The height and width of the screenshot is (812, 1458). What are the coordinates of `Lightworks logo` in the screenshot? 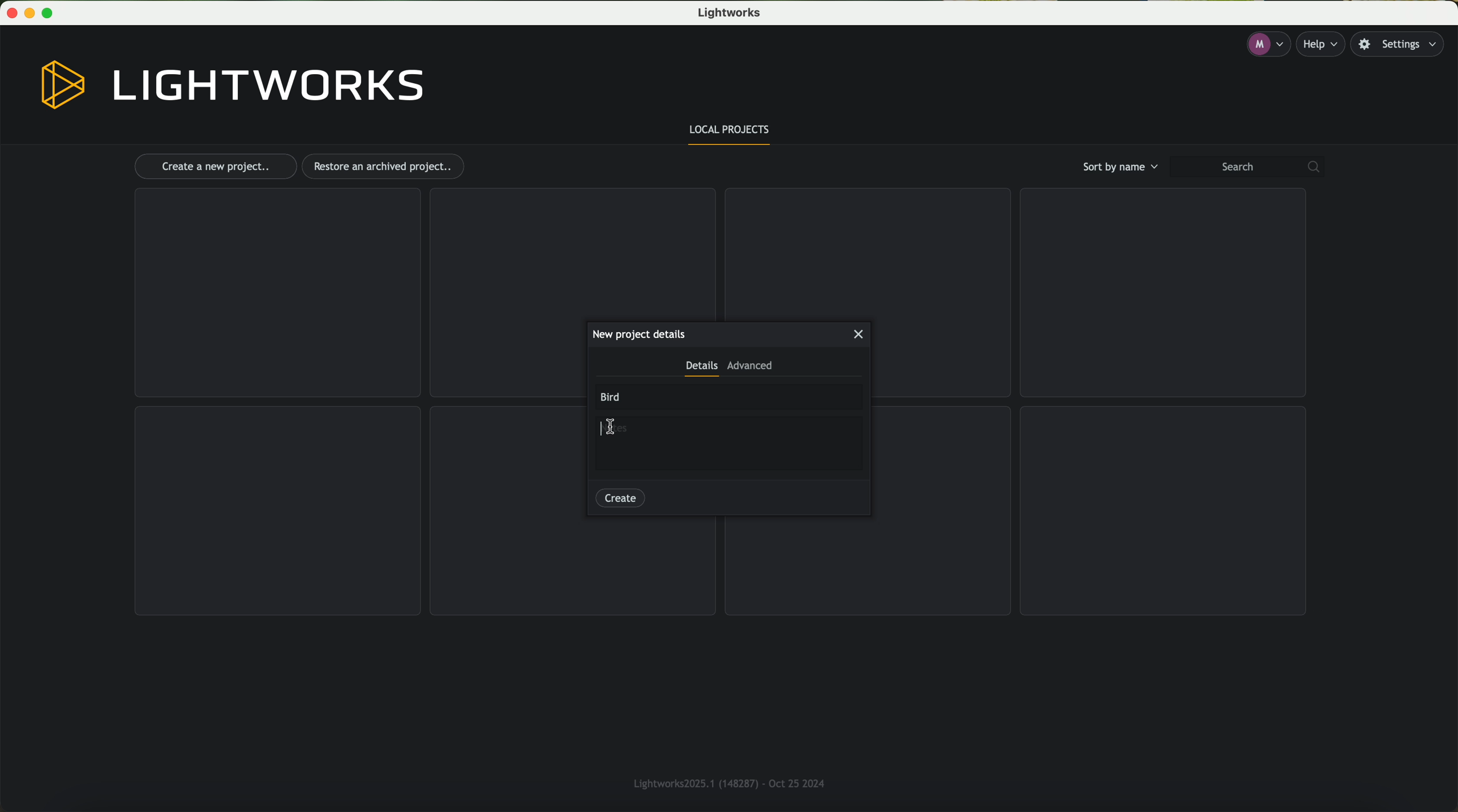 It's located at (233, 85).